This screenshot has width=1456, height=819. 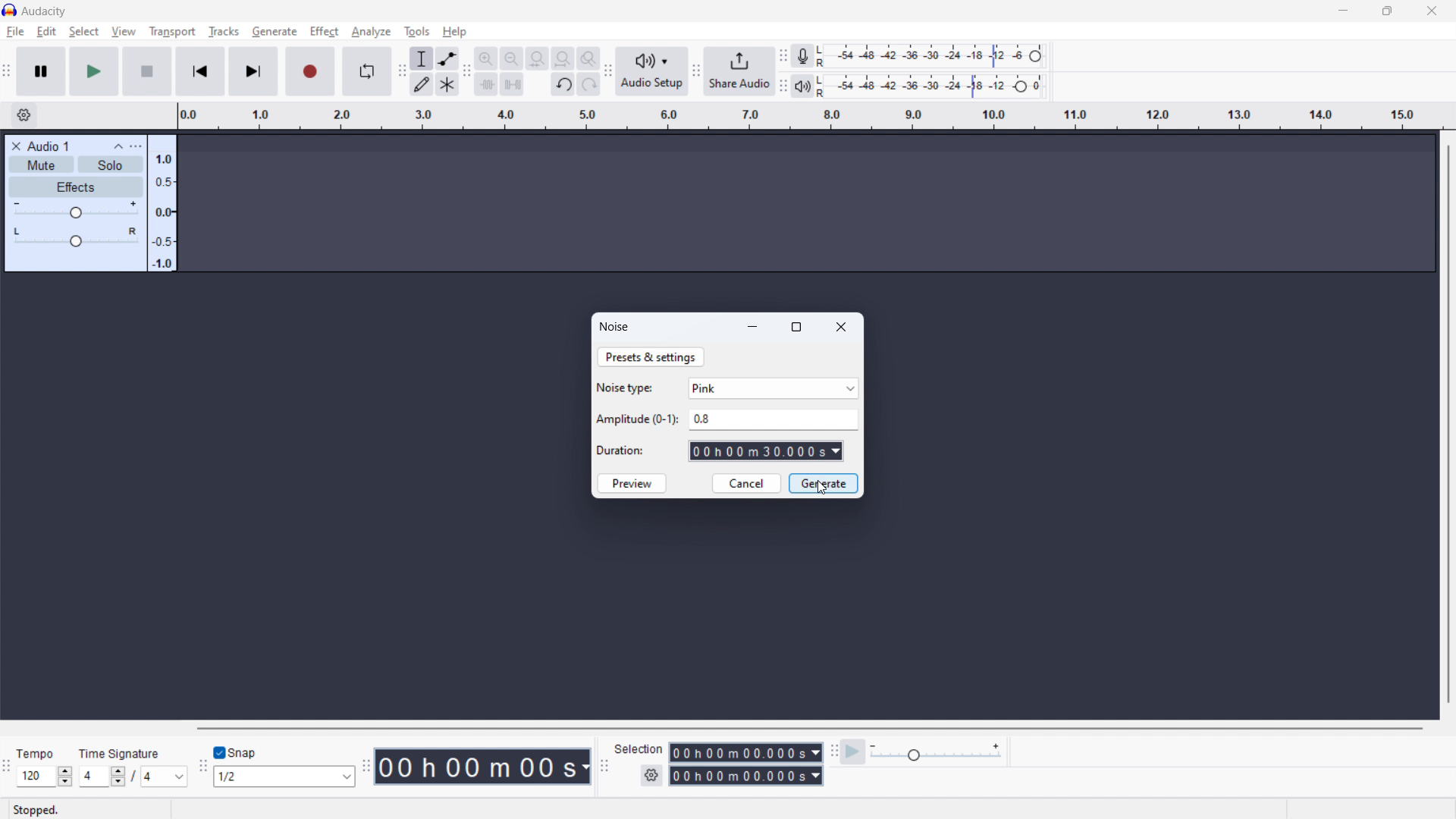 I want to click on track title, so click(x=49, y=146).